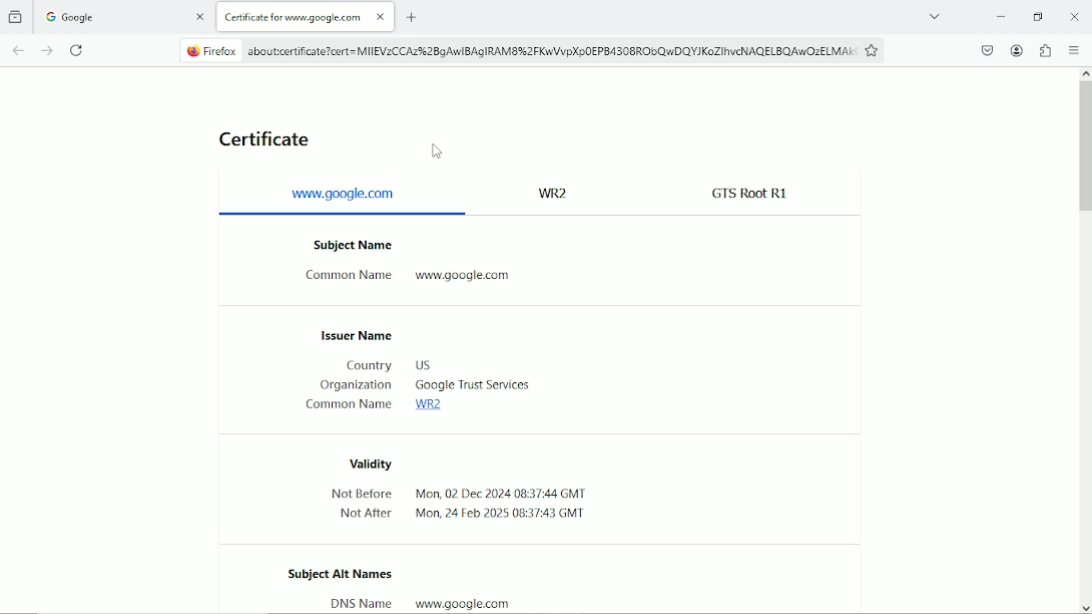 The image size is (1092, 614). Describe the element at coordinates (1074, 50) in the screenshot. I see `Open application menu` at that location.